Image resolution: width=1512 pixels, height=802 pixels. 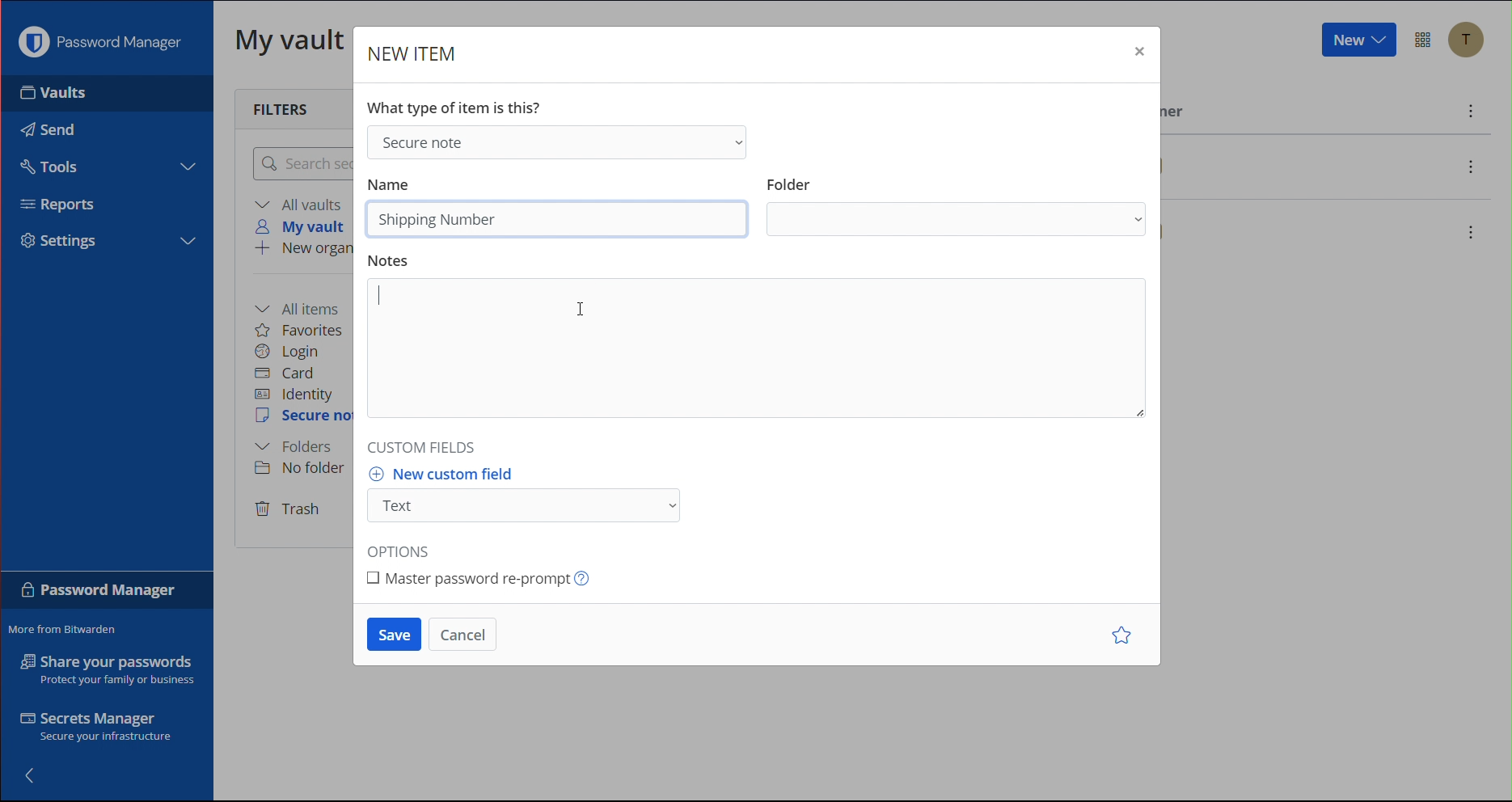 What do you see at coordinates (1118, 635) in the screenshot?
I see `Star` at bounding box center [1118, 635].